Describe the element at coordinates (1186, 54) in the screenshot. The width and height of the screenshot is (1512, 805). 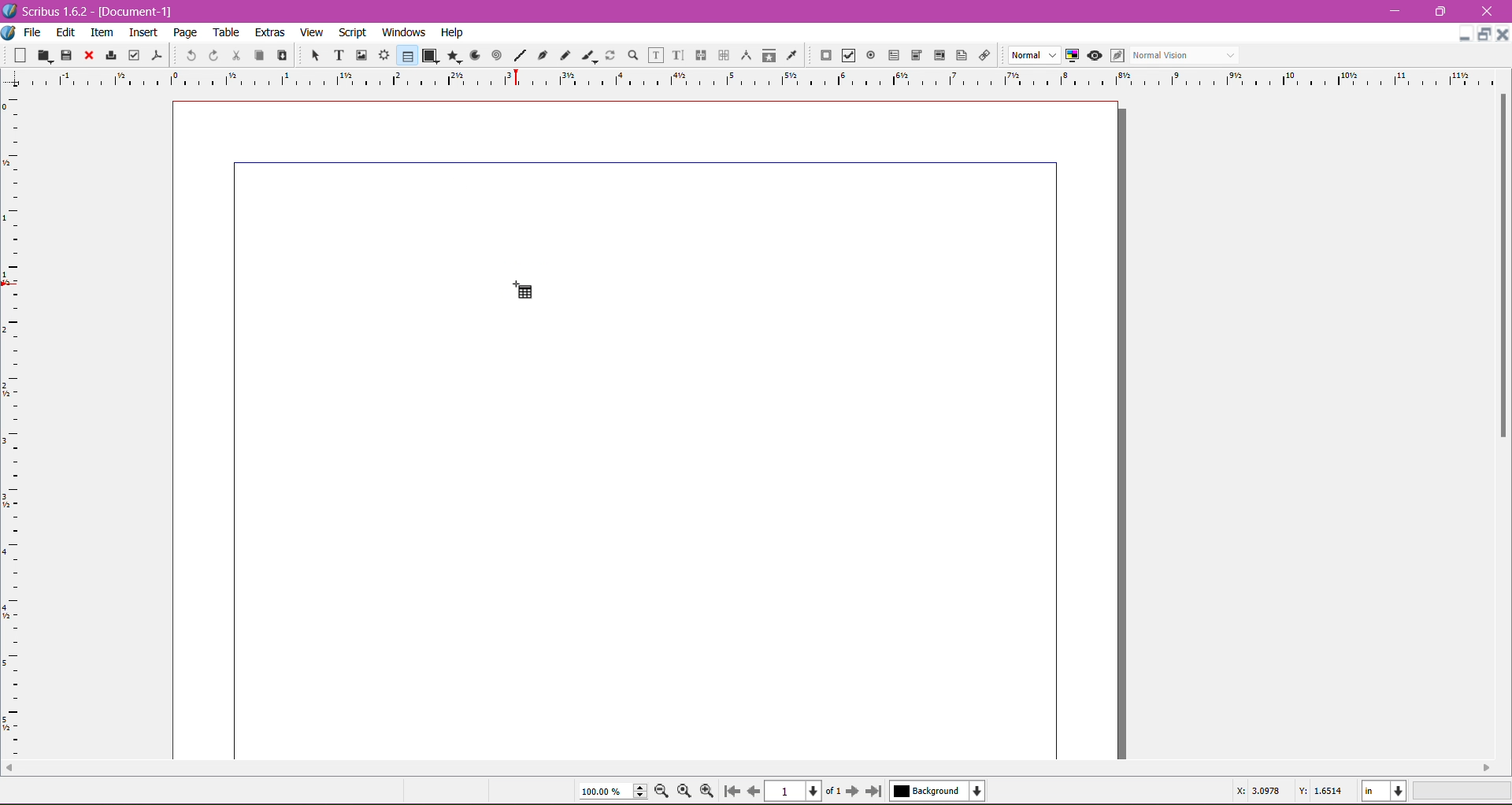
I see `Normal   Vision` at that location.